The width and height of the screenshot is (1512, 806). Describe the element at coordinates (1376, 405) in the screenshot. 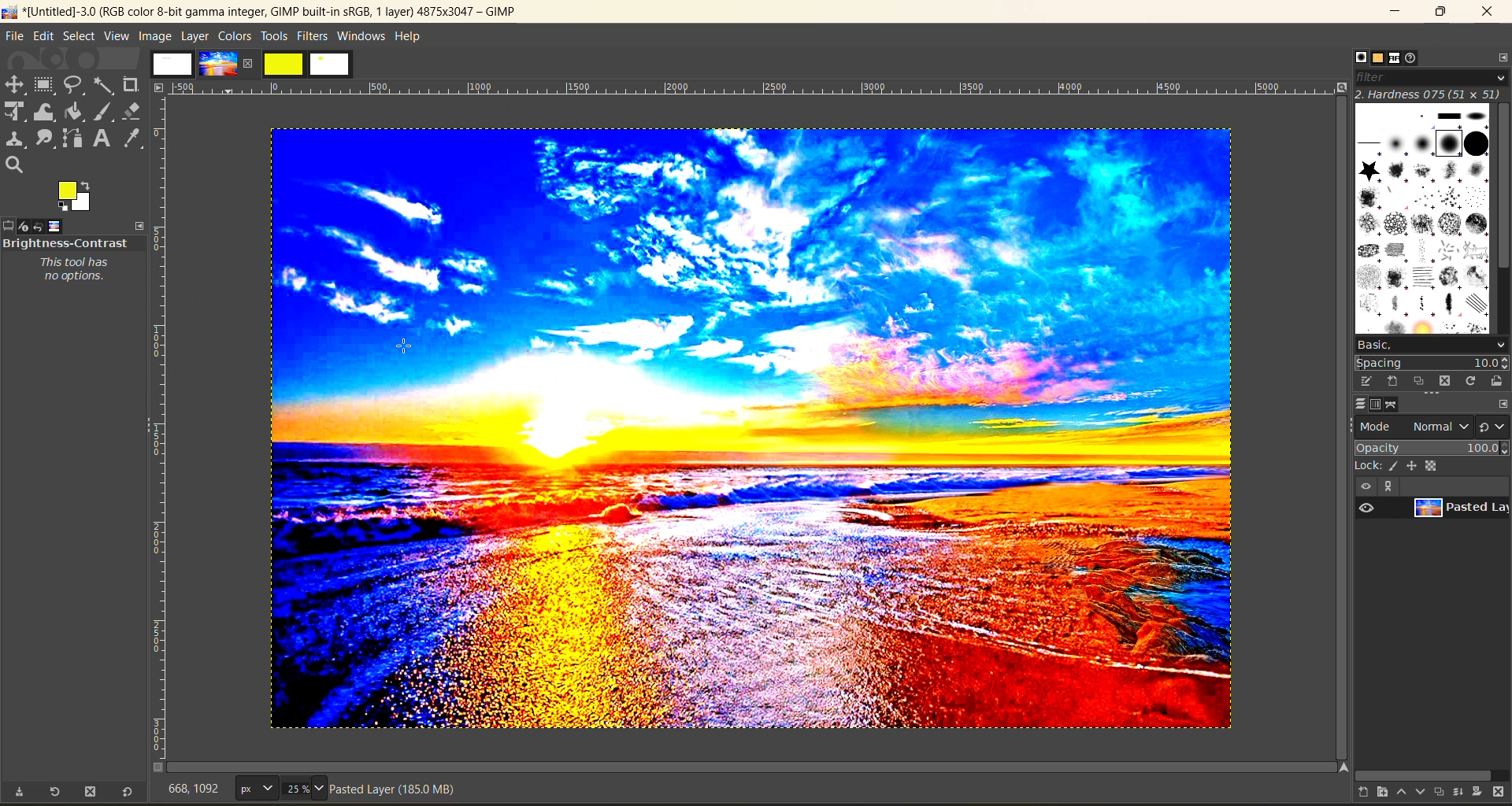

I see `channels` at that location.